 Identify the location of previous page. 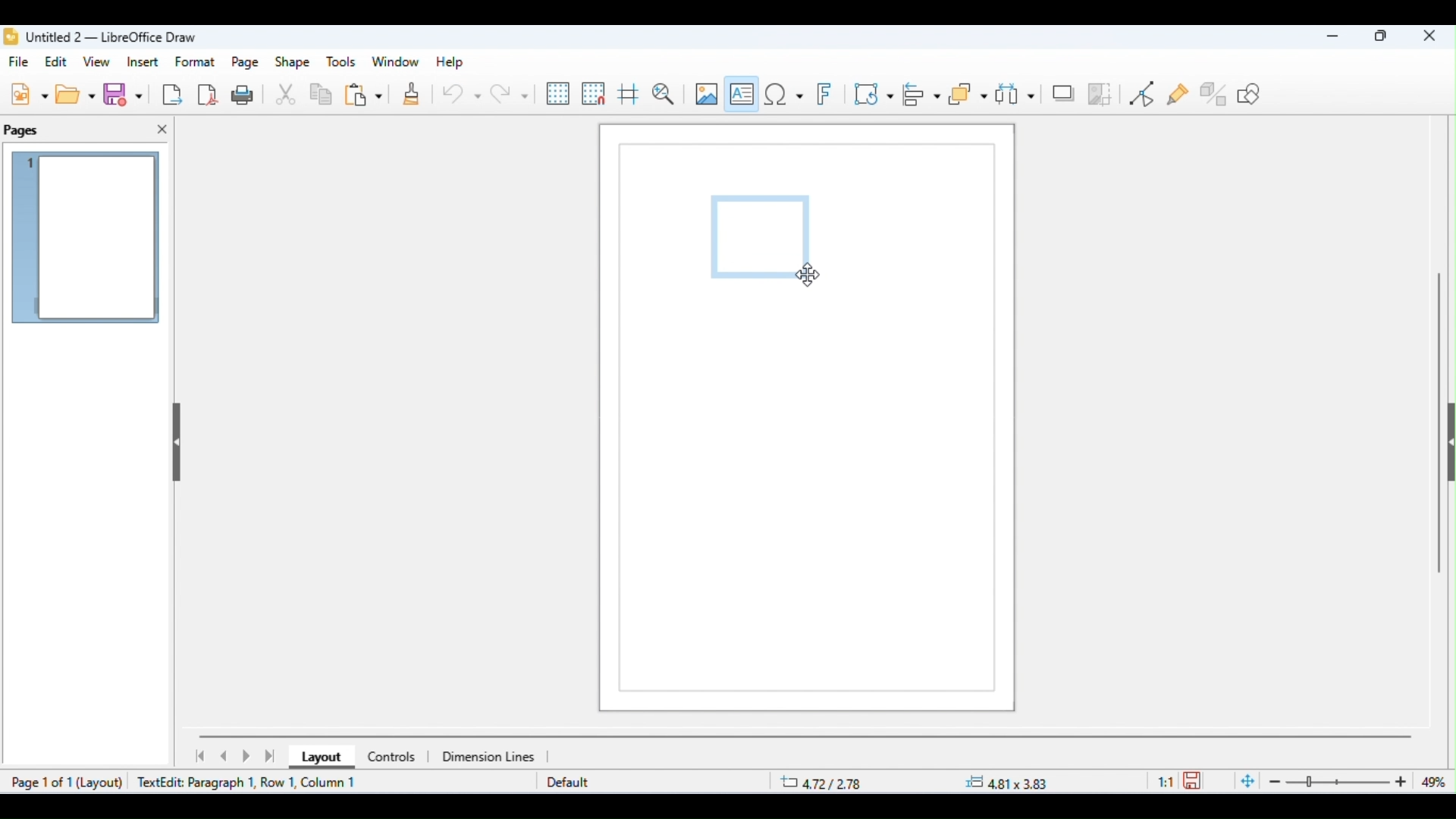
(224, 756).